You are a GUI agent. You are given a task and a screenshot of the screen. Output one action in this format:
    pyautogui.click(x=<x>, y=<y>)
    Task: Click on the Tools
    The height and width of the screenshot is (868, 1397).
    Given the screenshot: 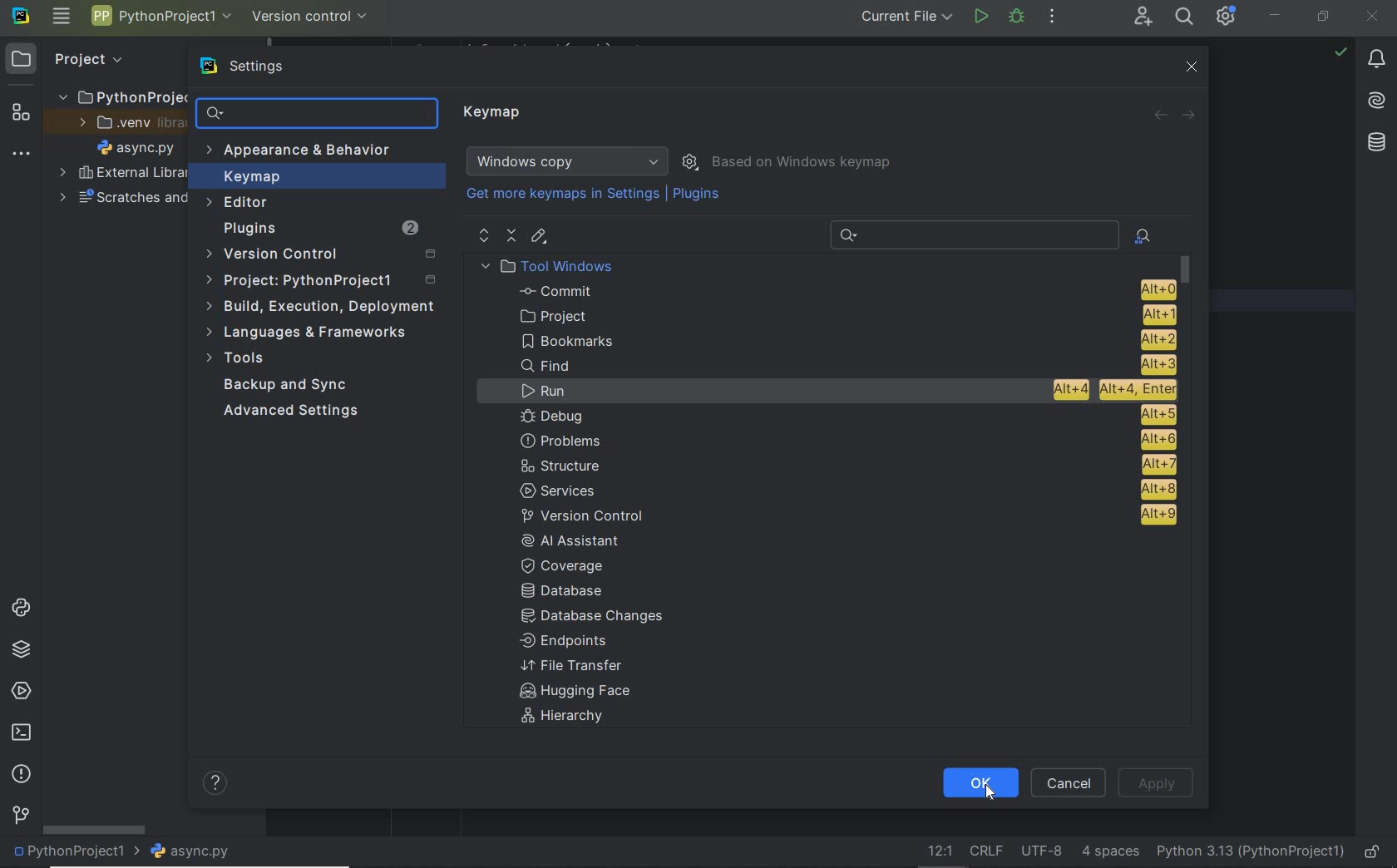 What is the action you would take?
    pyautogui.click(x=239, y=360)
    